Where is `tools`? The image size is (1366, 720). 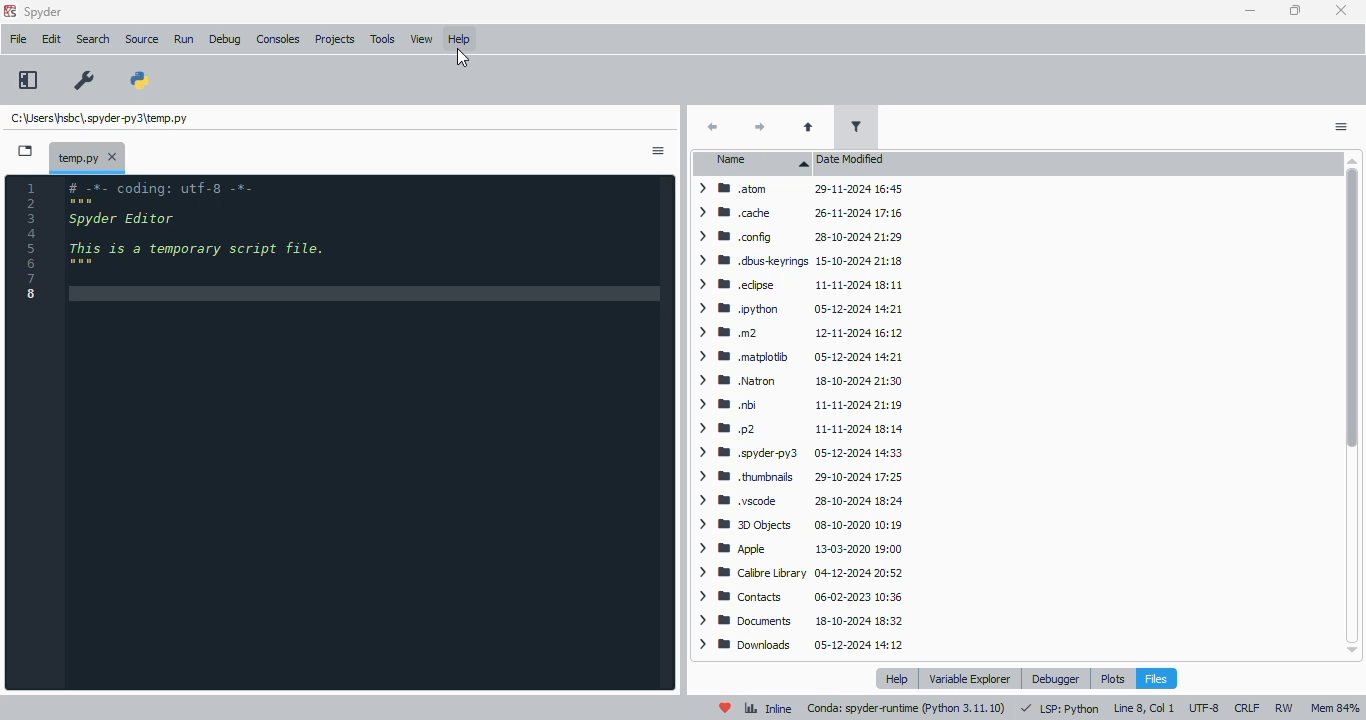 tools is located at coordinates (384, 39).